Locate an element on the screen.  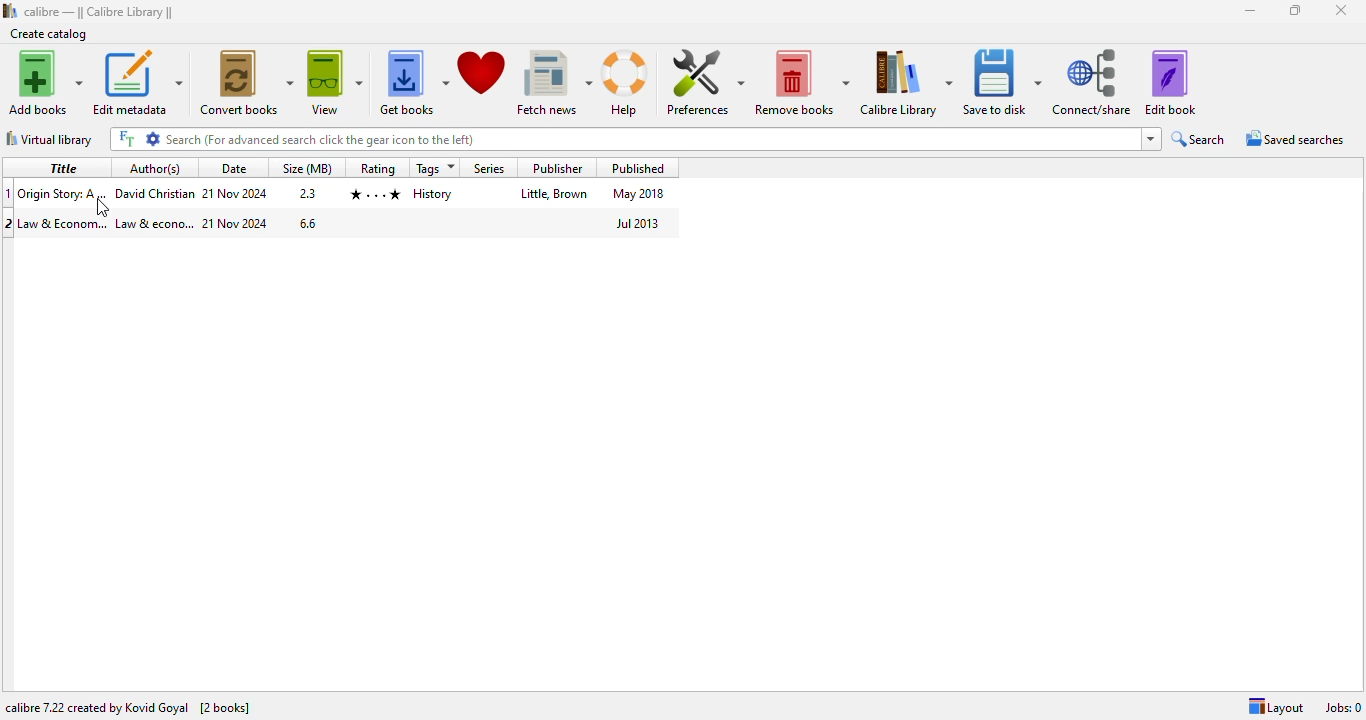
date is located at coordinates (237, 223).